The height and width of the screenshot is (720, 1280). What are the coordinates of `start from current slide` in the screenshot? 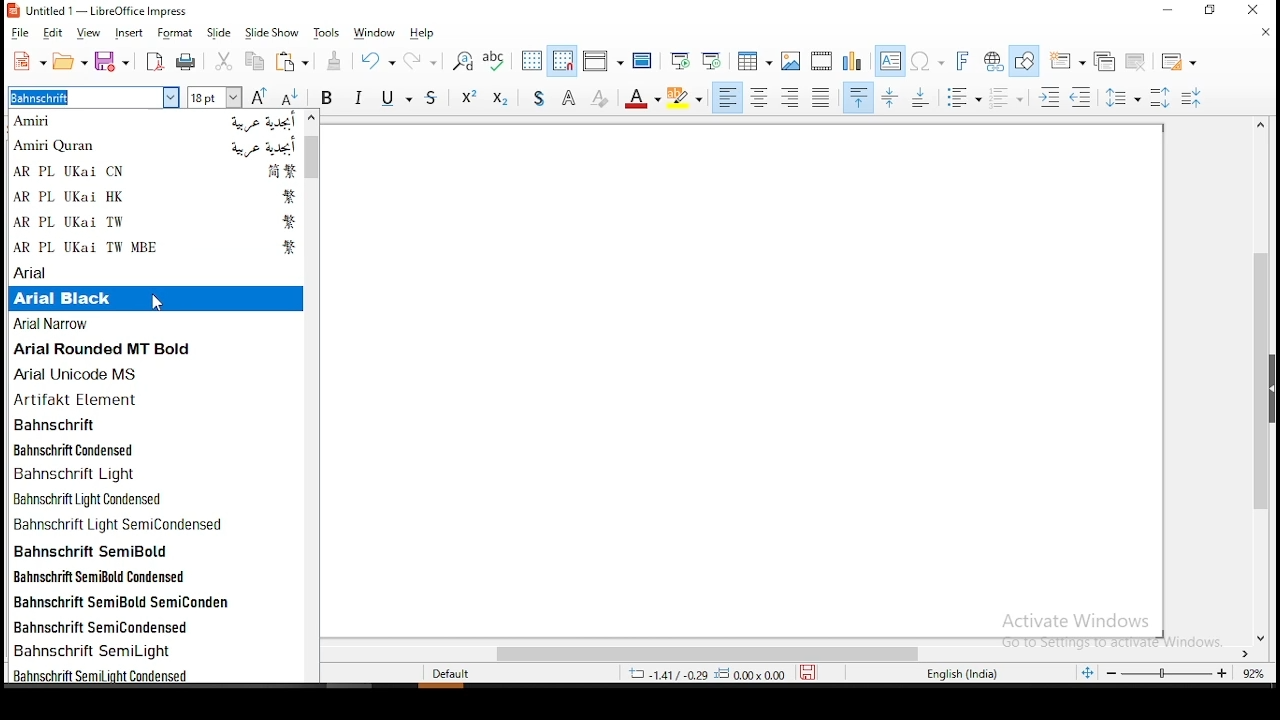 It's located at (714, 60).